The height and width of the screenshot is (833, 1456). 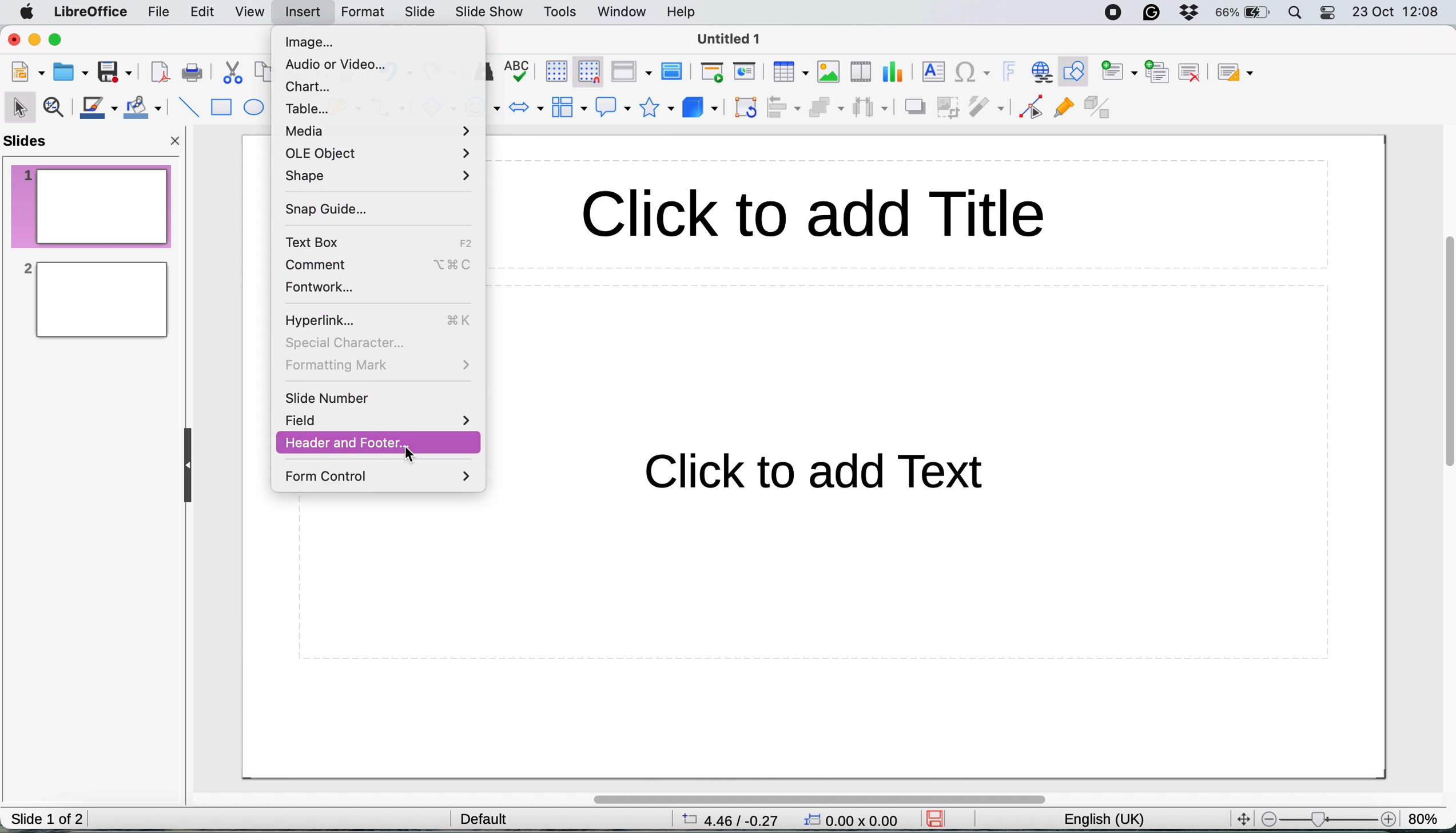 What do you see at coordinates (895, 72) in the screenshot?
I see `insert chart` at bounding box center [895, 72].